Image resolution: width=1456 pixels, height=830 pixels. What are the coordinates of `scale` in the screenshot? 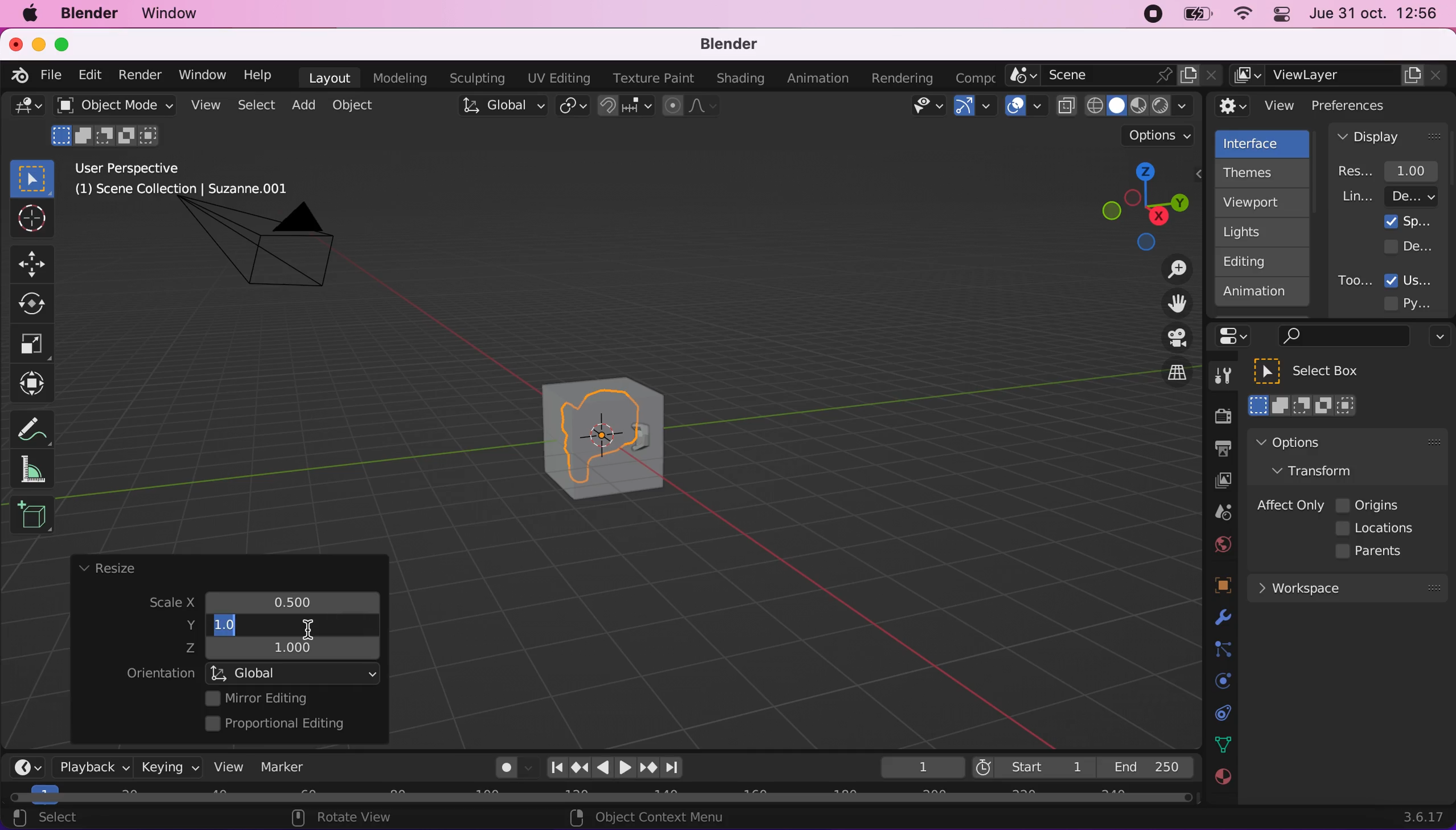 It's located at (161, 604).